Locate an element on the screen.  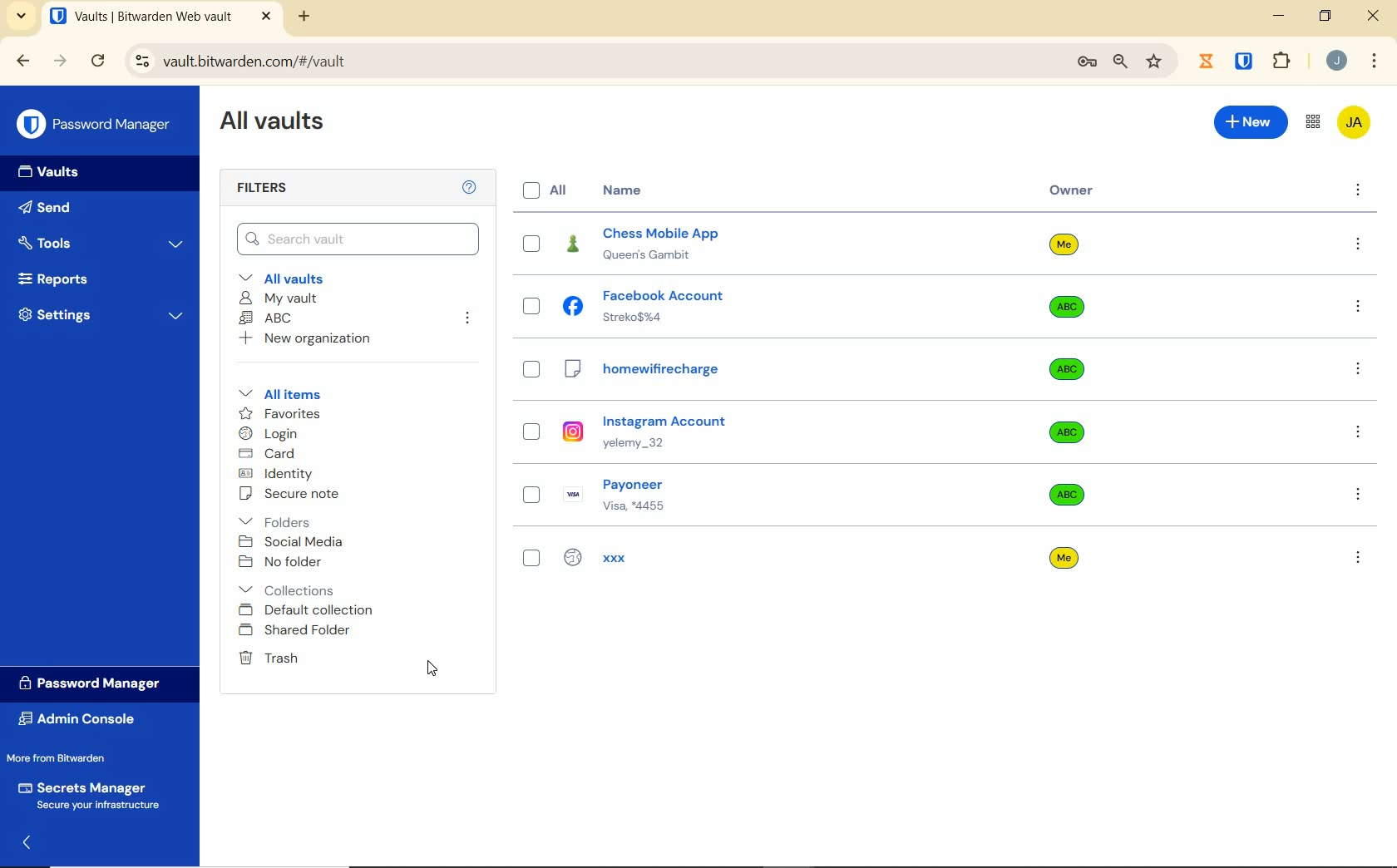
instagram account is located at coordinates (765, 432).